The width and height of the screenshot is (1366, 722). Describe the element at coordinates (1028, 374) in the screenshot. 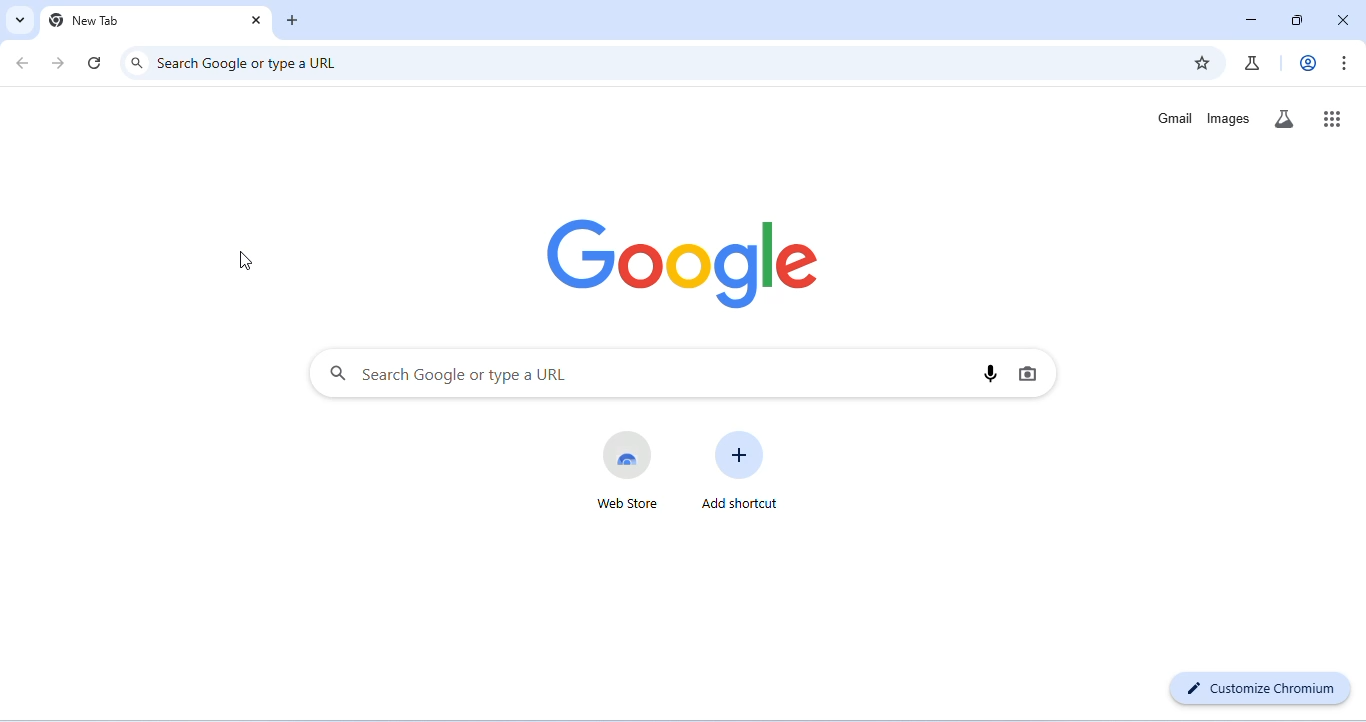

I see `image search` at that location.